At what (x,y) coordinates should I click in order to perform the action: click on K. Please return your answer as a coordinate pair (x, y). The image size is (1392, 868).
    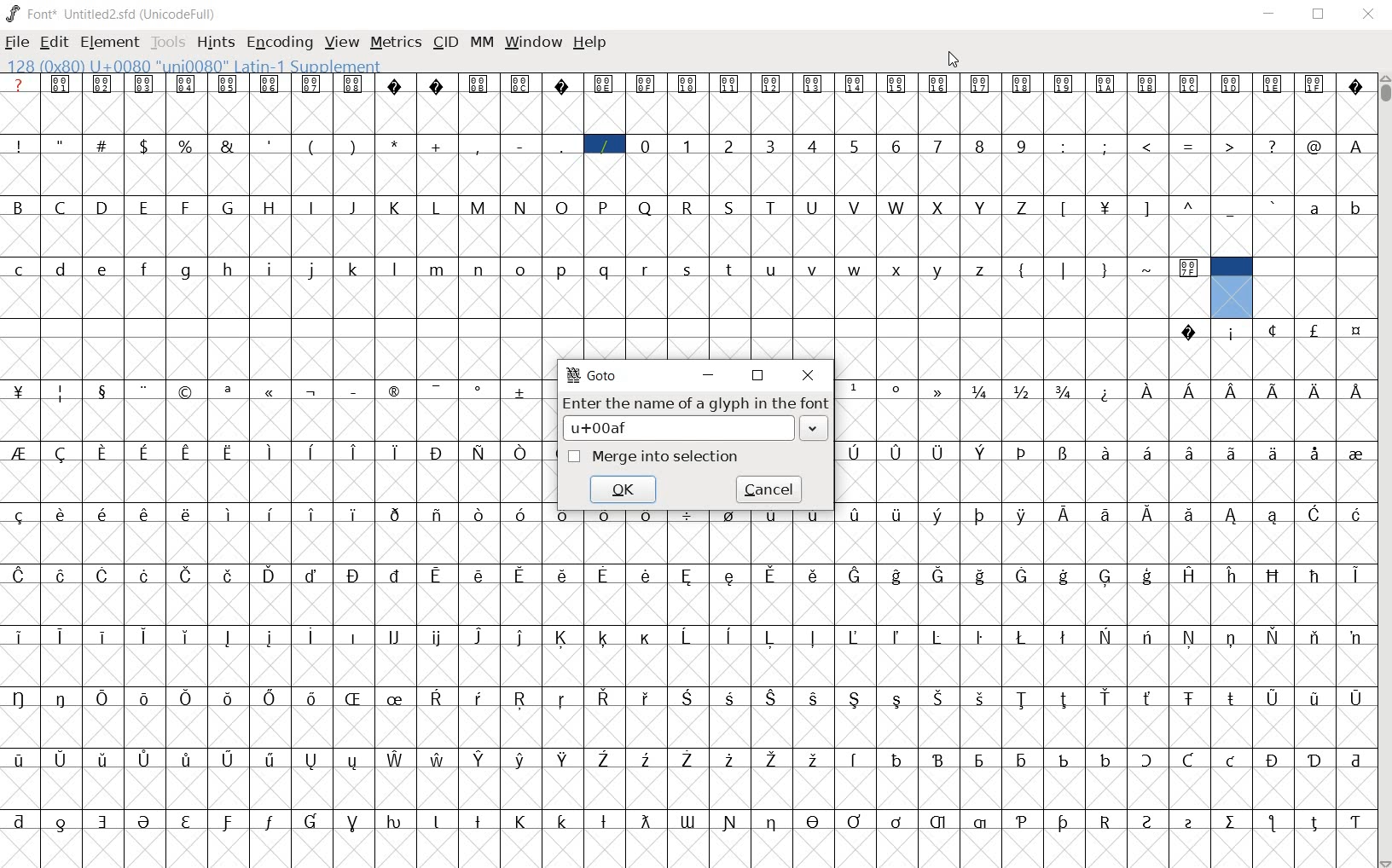
    Looking at the image, I should click on (397, 206).